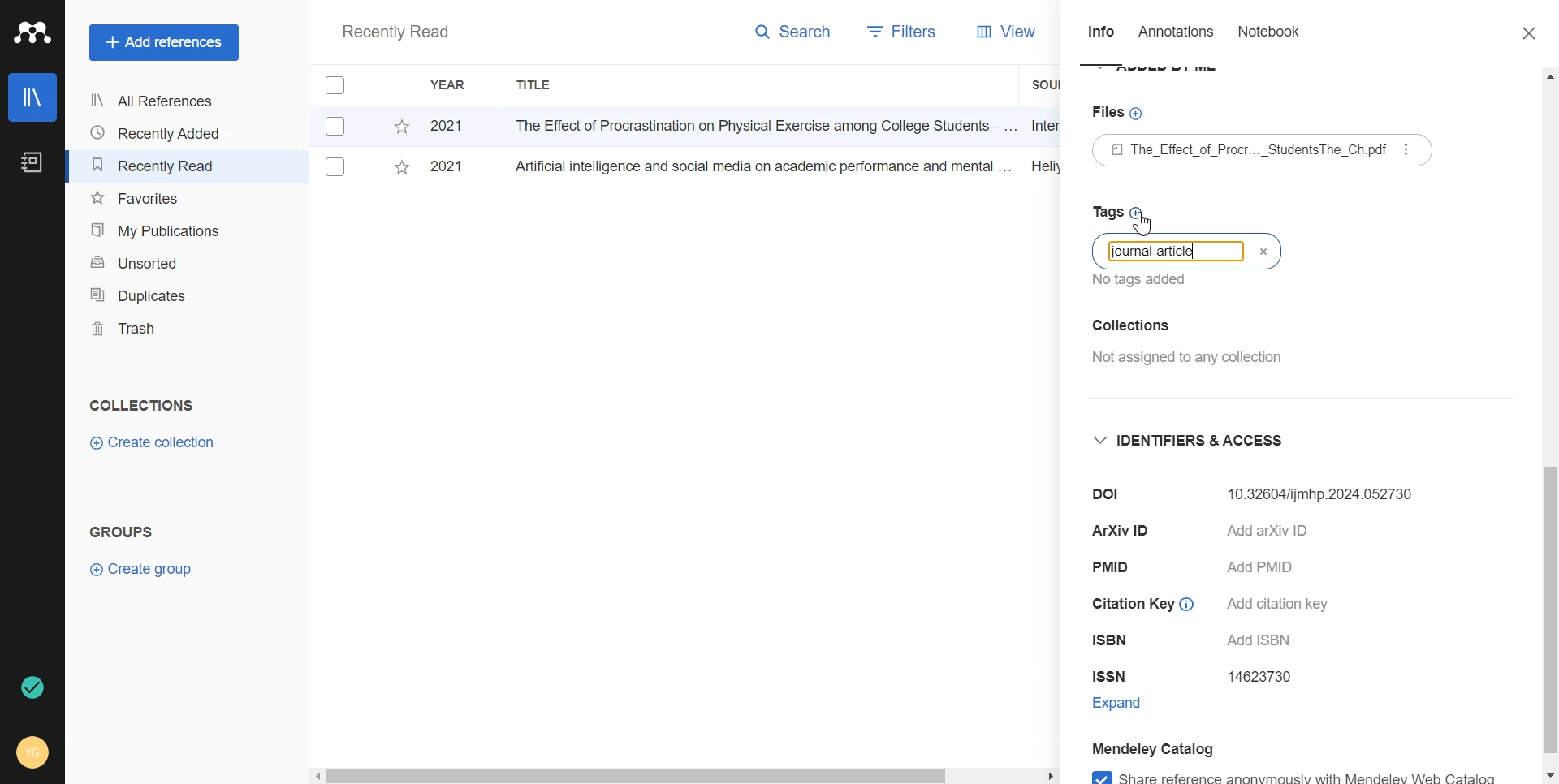  I want to click on View, so click(1009, 32).